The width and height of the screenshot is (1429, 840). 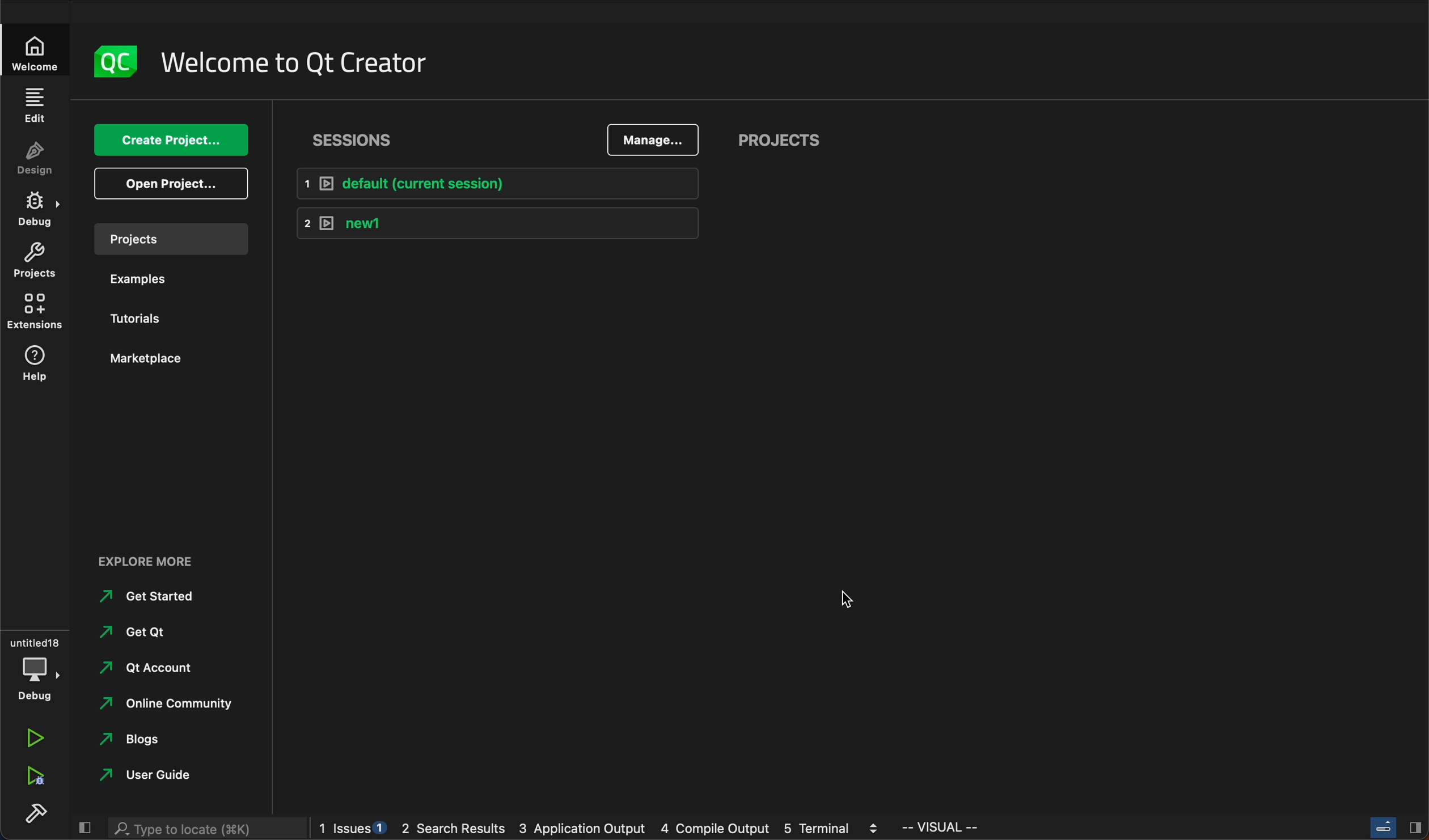 I want to click on tutorials, so click(x=145, y=315).